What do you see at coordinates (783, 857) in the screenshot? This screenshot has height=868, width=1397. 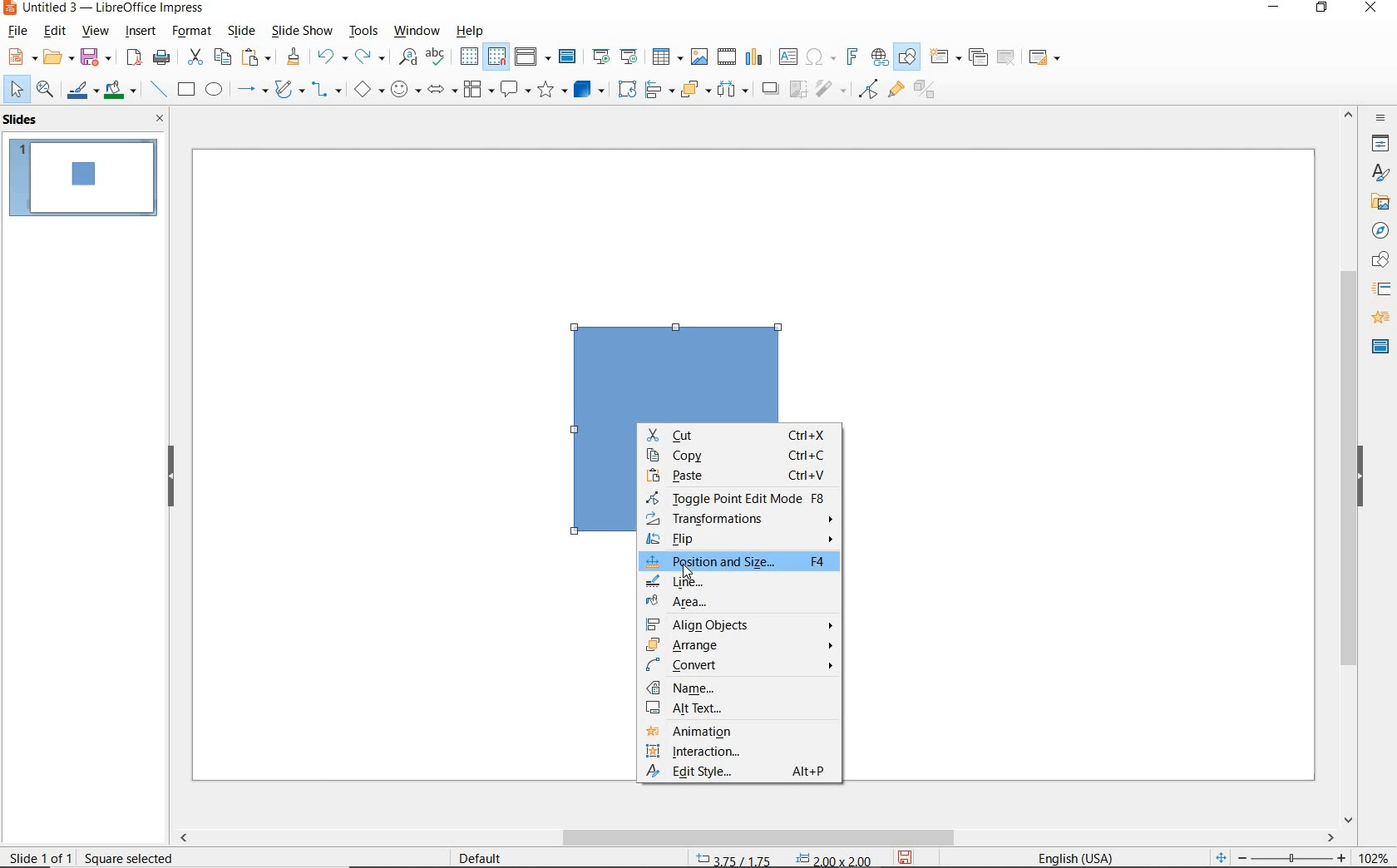 I see `position and size` at bounding box center [783, 857].